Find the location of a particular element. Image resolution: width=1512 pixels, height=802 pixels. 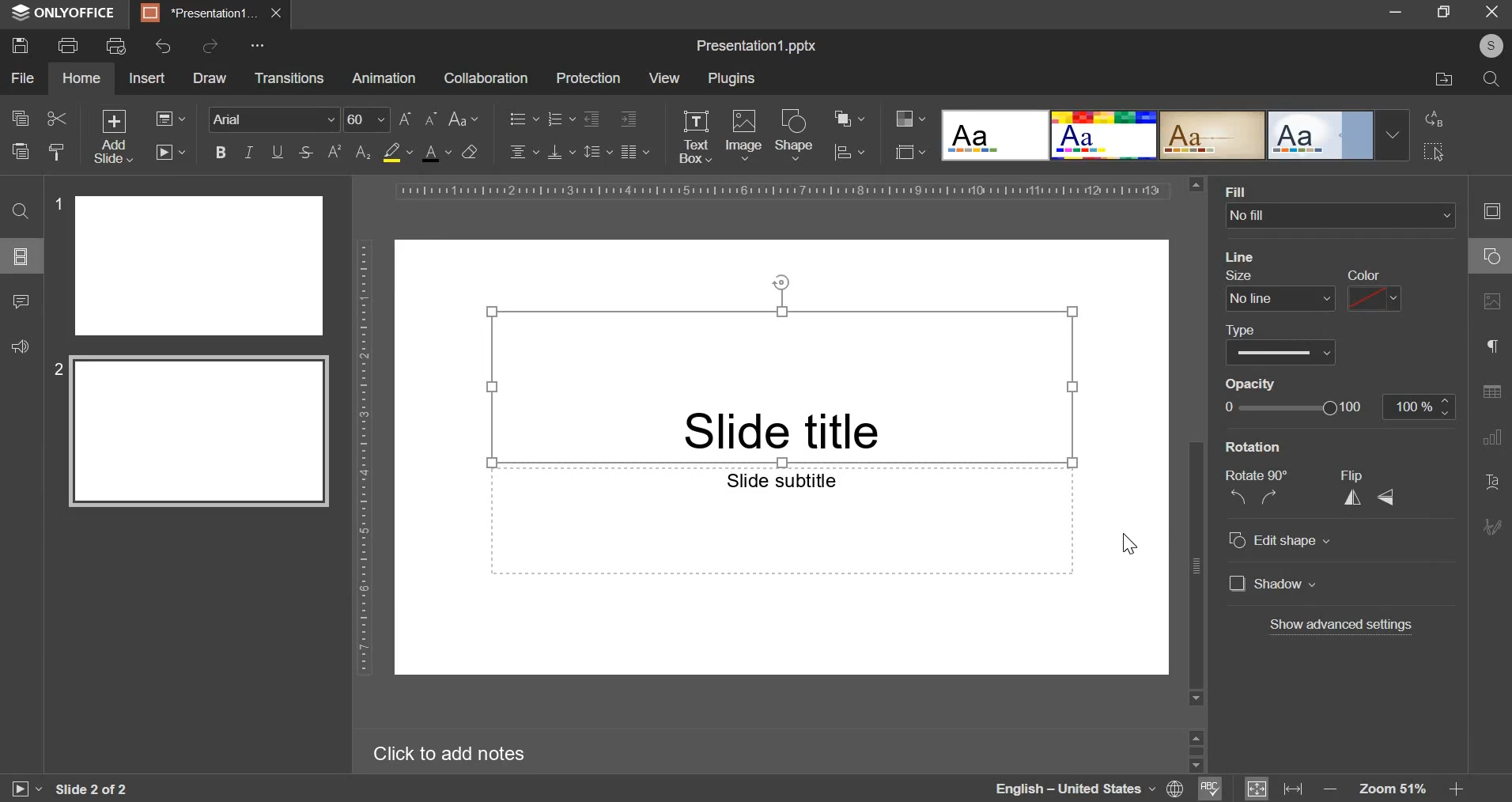

clear style is located at coordinates (57, 151).